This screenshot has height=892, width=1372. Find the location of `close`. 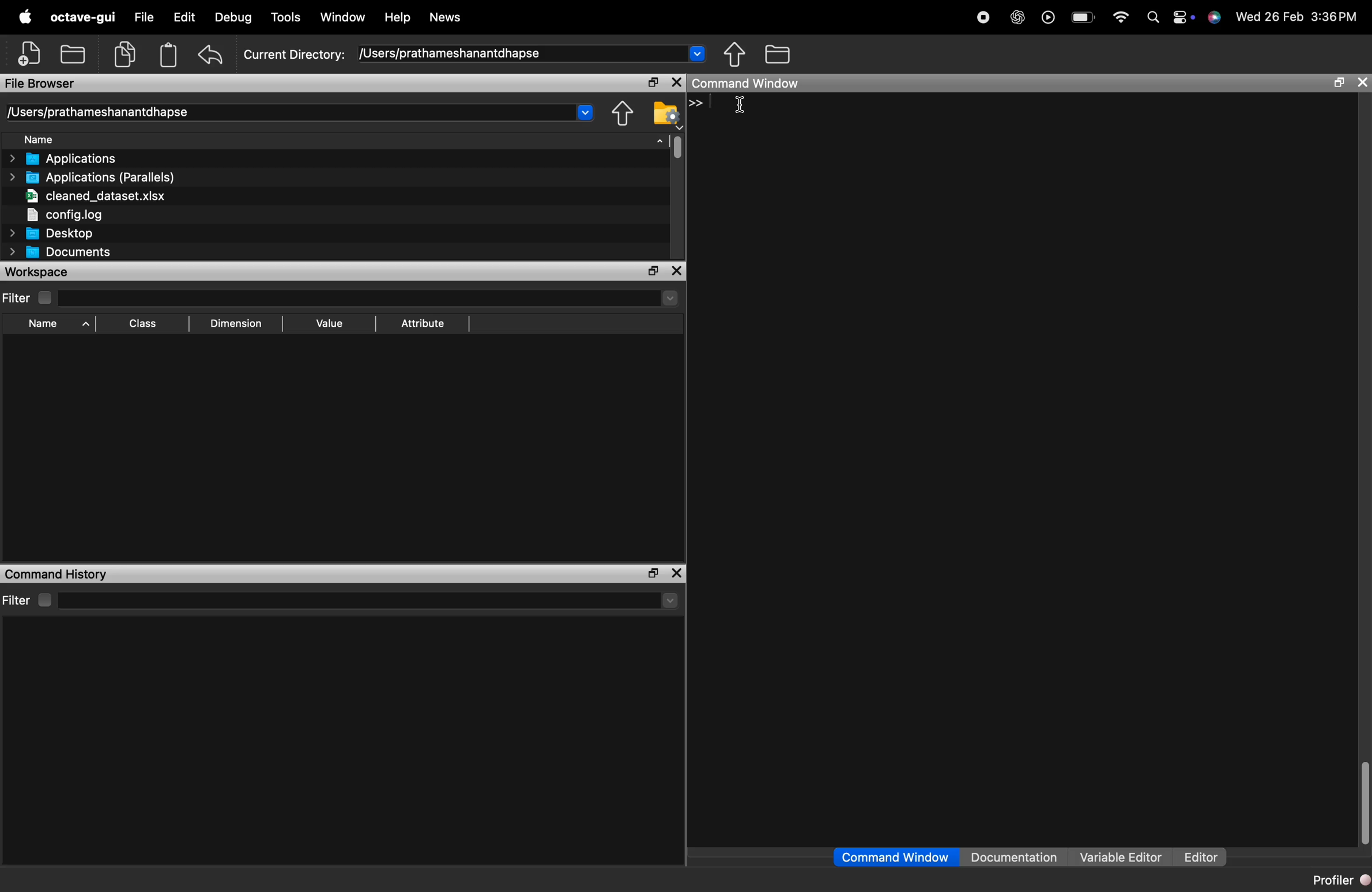

close is located at coordinates (675, 83).